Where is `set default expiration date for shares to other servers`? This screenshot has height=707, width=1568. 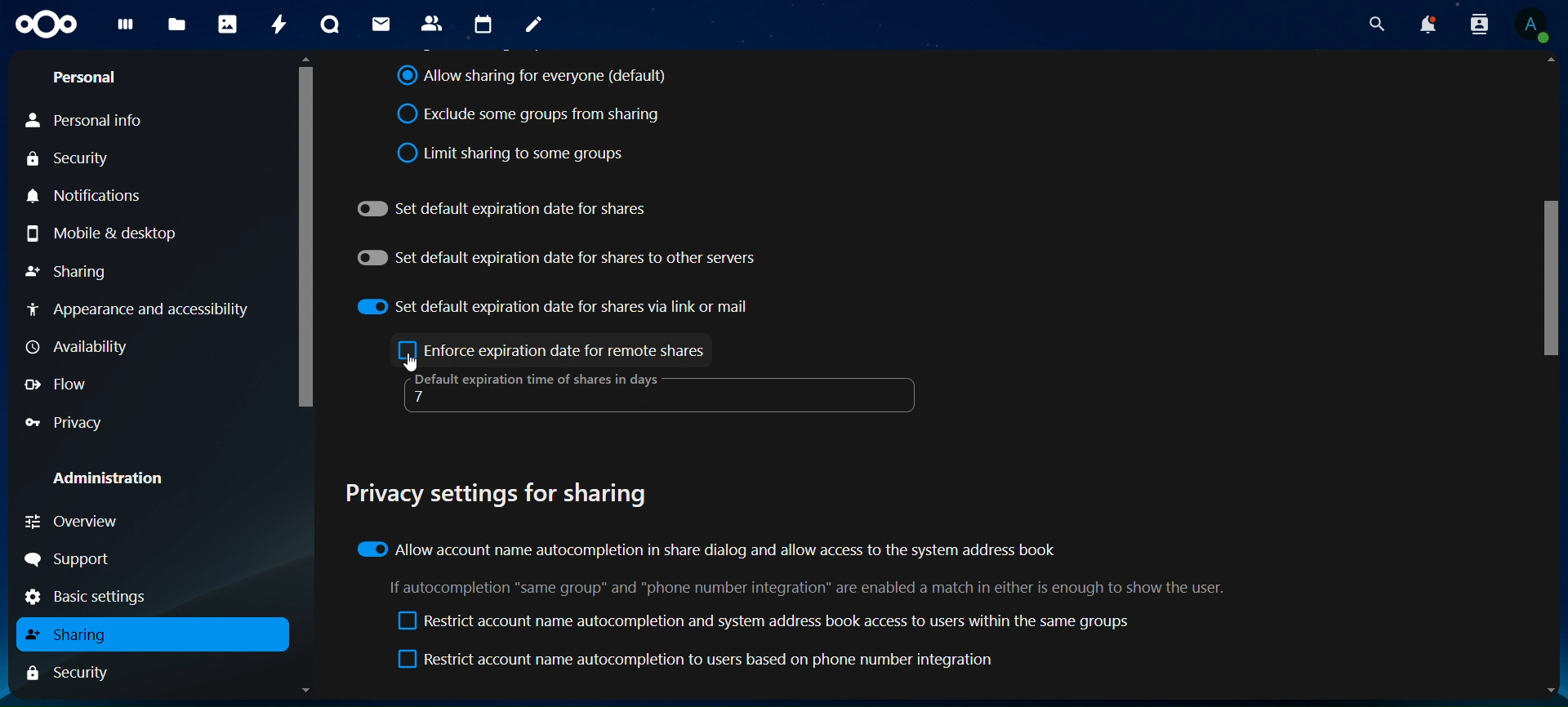 set default expiration date for shares to other servers is located at coordinates (557, 255).